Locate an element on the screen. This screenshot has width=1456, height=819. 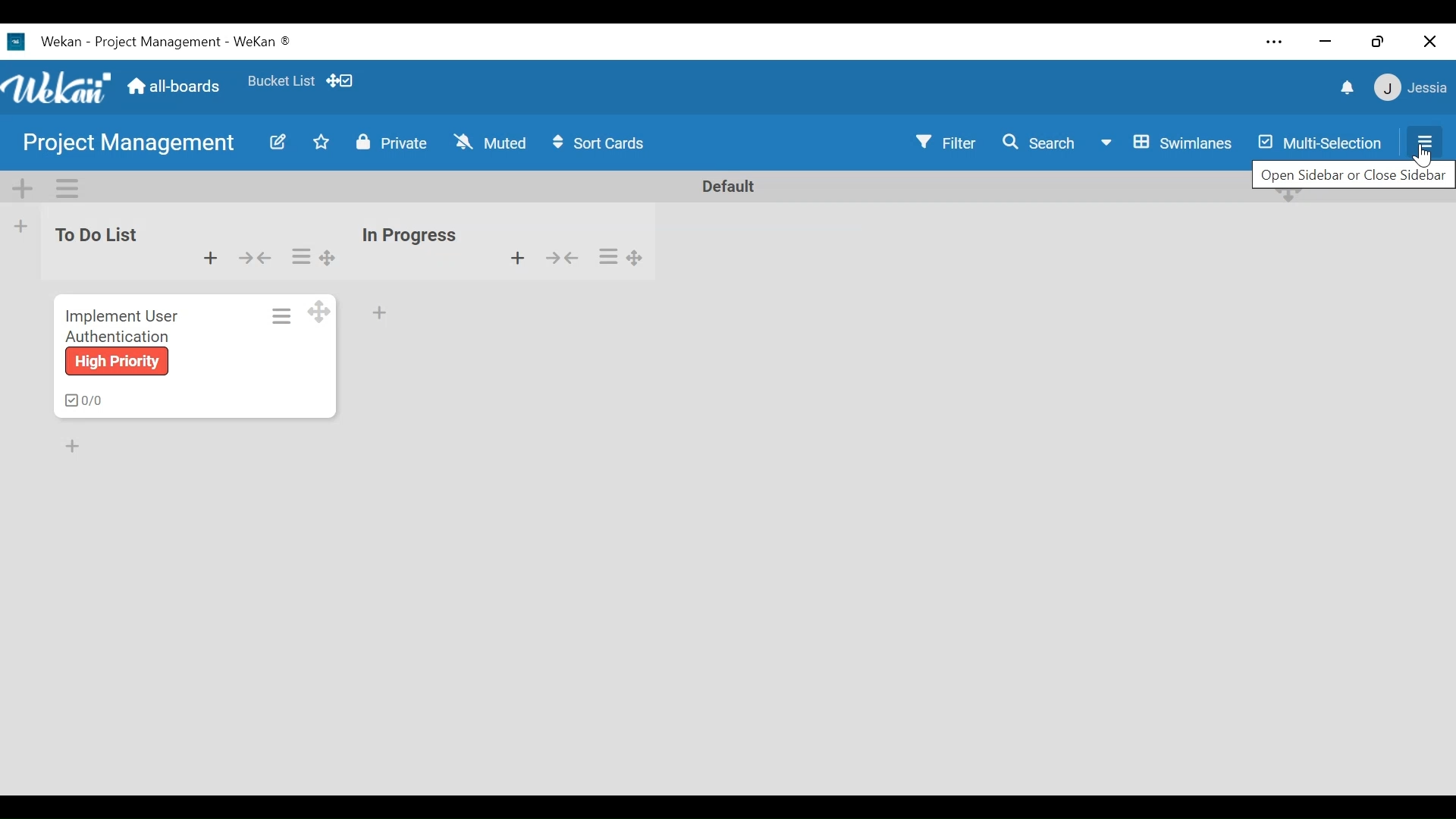
Desktop Drag handles is located at coordinates (318, 312).